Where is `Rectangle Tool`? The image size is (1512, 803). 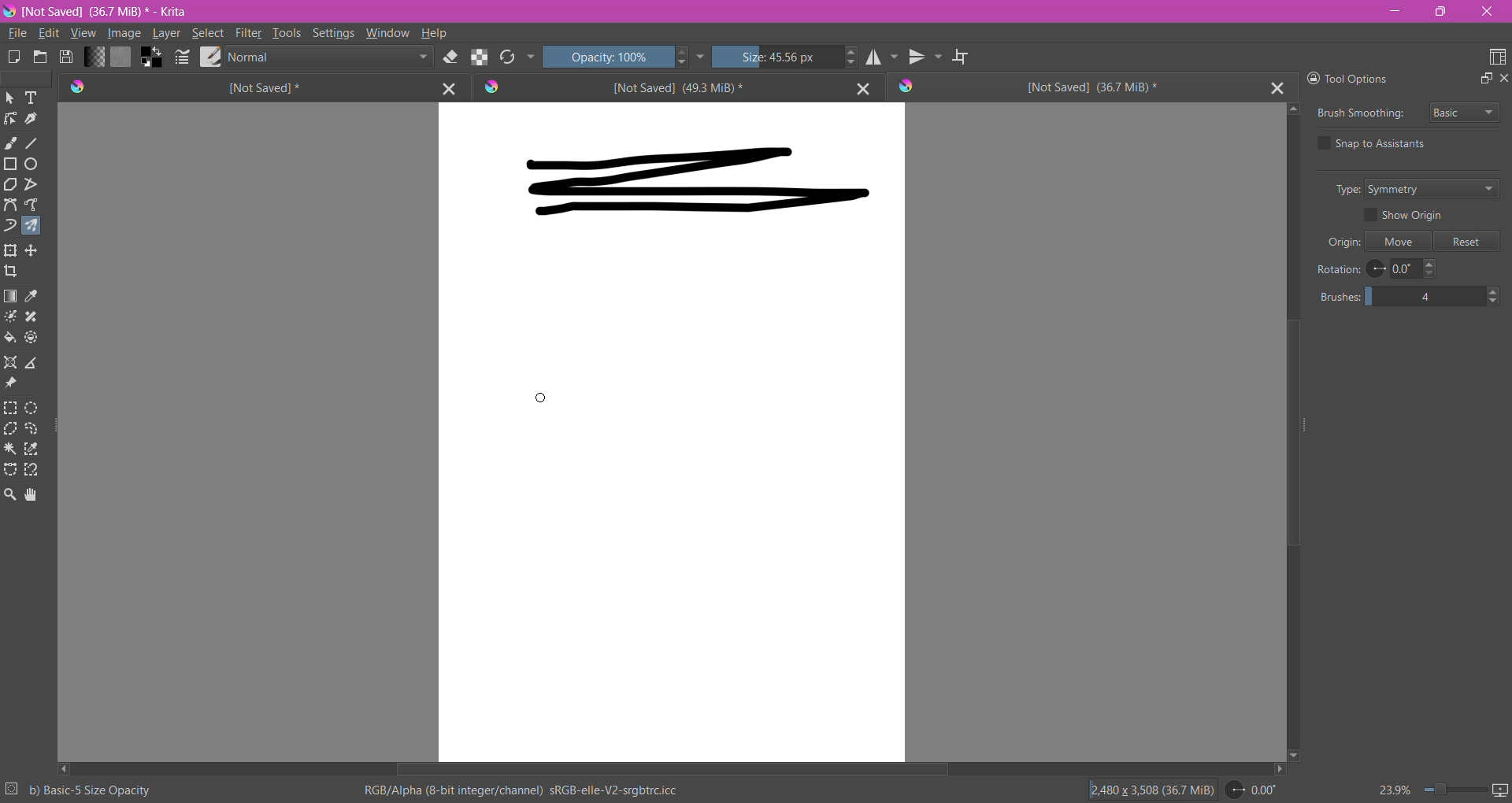
Rectangle Tool is located at coordinates (11, 164).